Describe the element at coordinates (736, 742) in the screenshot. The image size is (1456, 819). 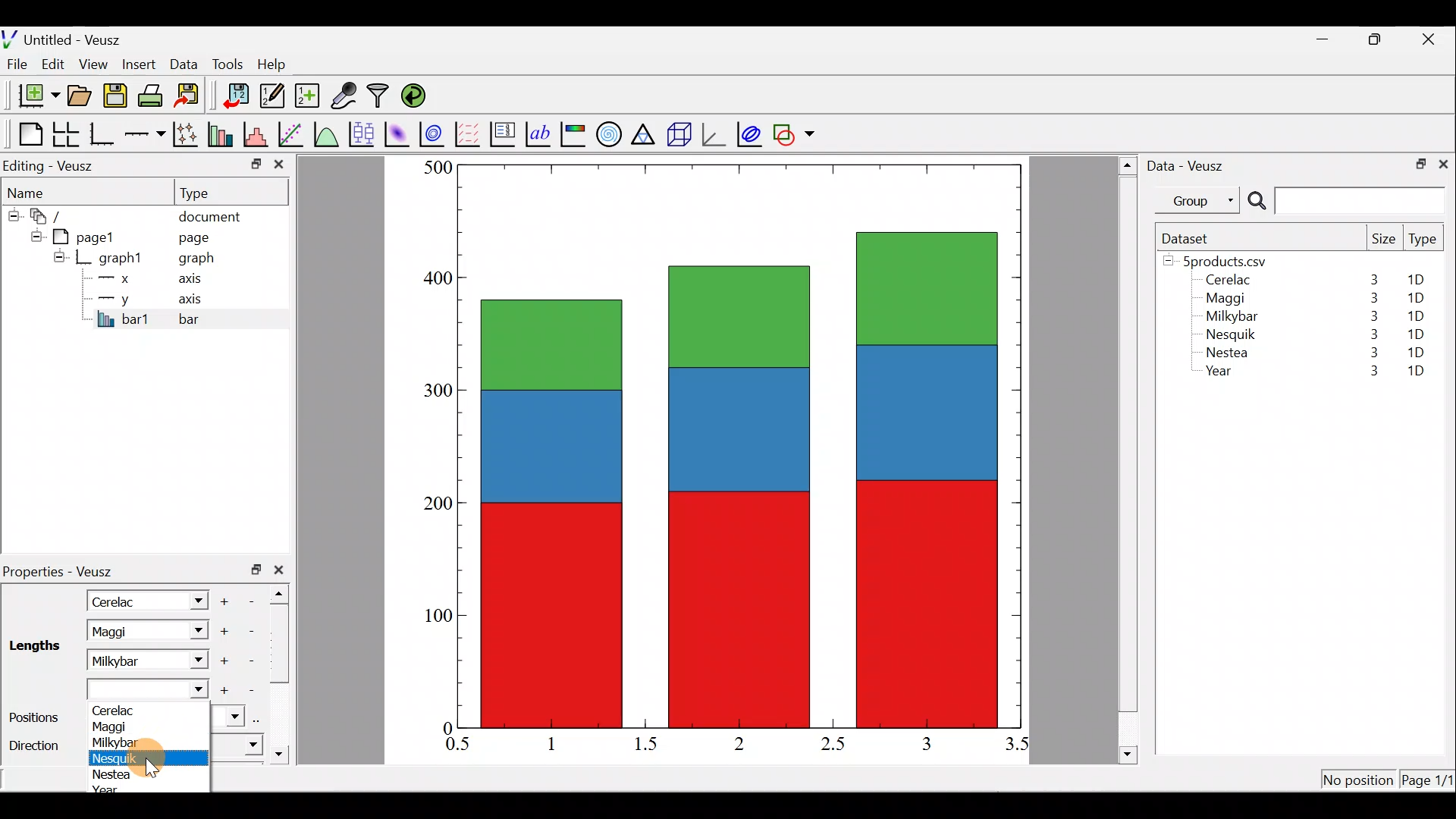
I see `2` at that location.